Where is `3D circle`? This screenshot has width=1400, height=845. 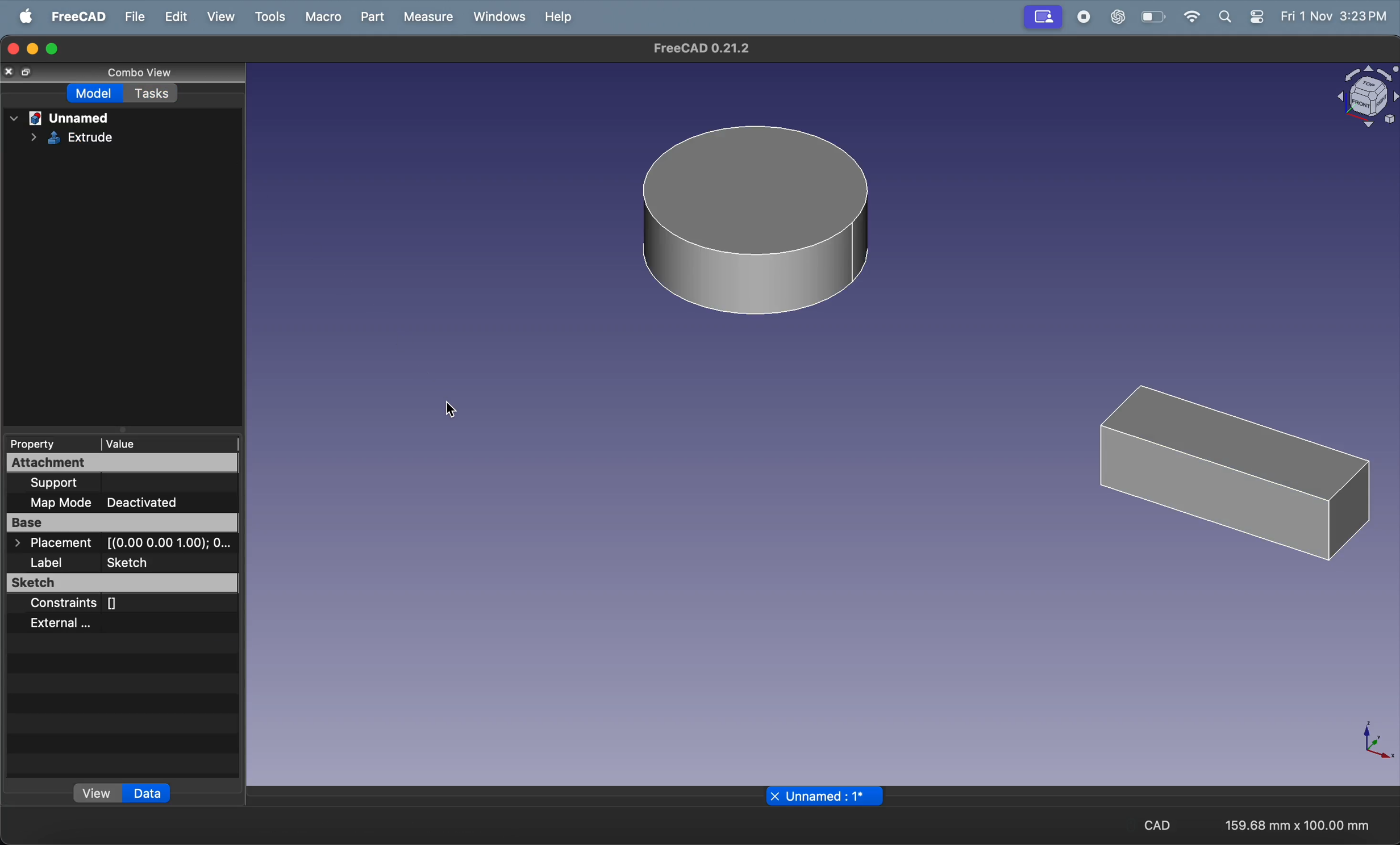 3D circle is located at coordinates (761, 217).